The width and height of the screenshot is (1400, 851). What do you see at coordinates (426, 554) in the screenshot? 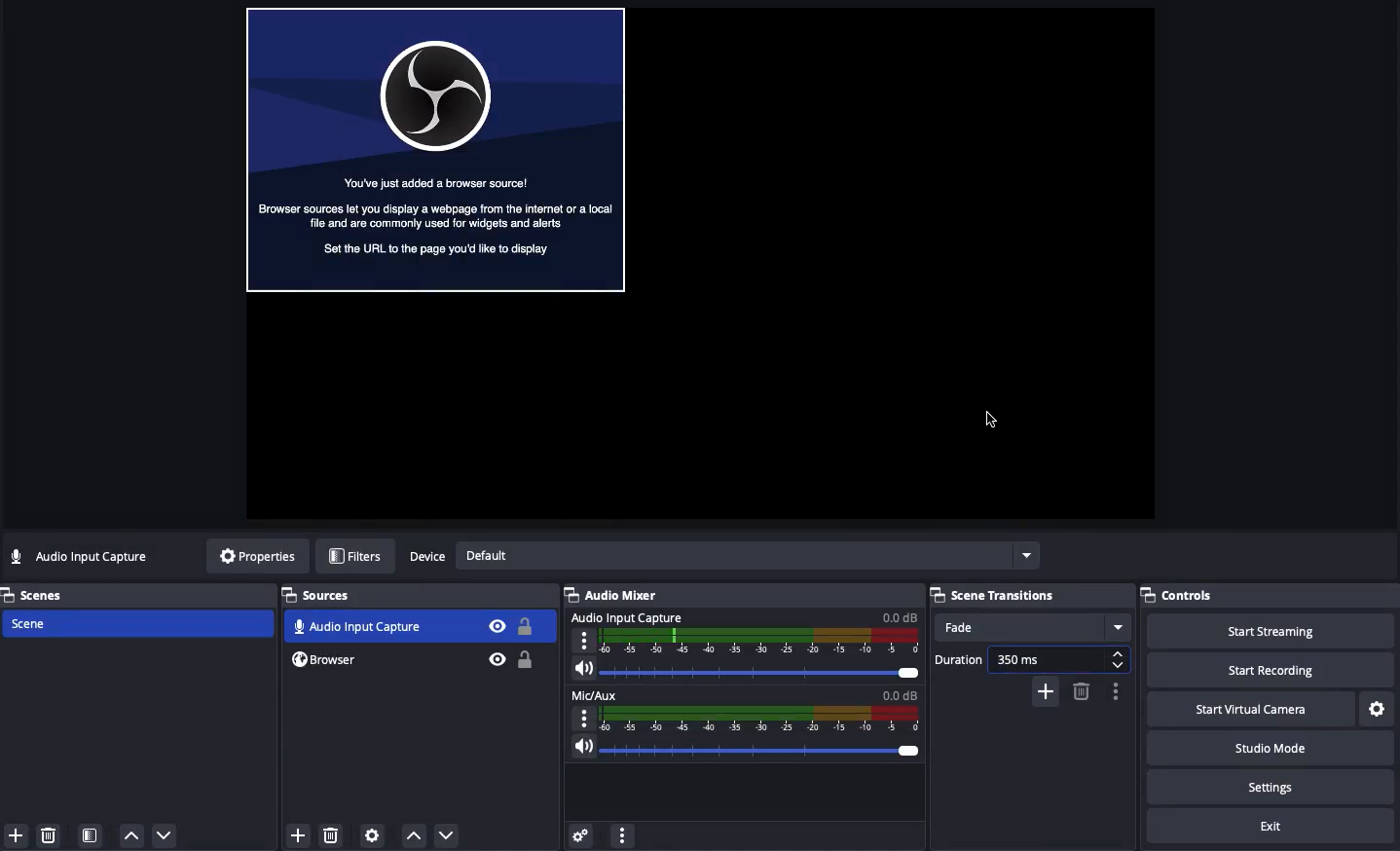
I see `Device` at bounding box center [426, 554].